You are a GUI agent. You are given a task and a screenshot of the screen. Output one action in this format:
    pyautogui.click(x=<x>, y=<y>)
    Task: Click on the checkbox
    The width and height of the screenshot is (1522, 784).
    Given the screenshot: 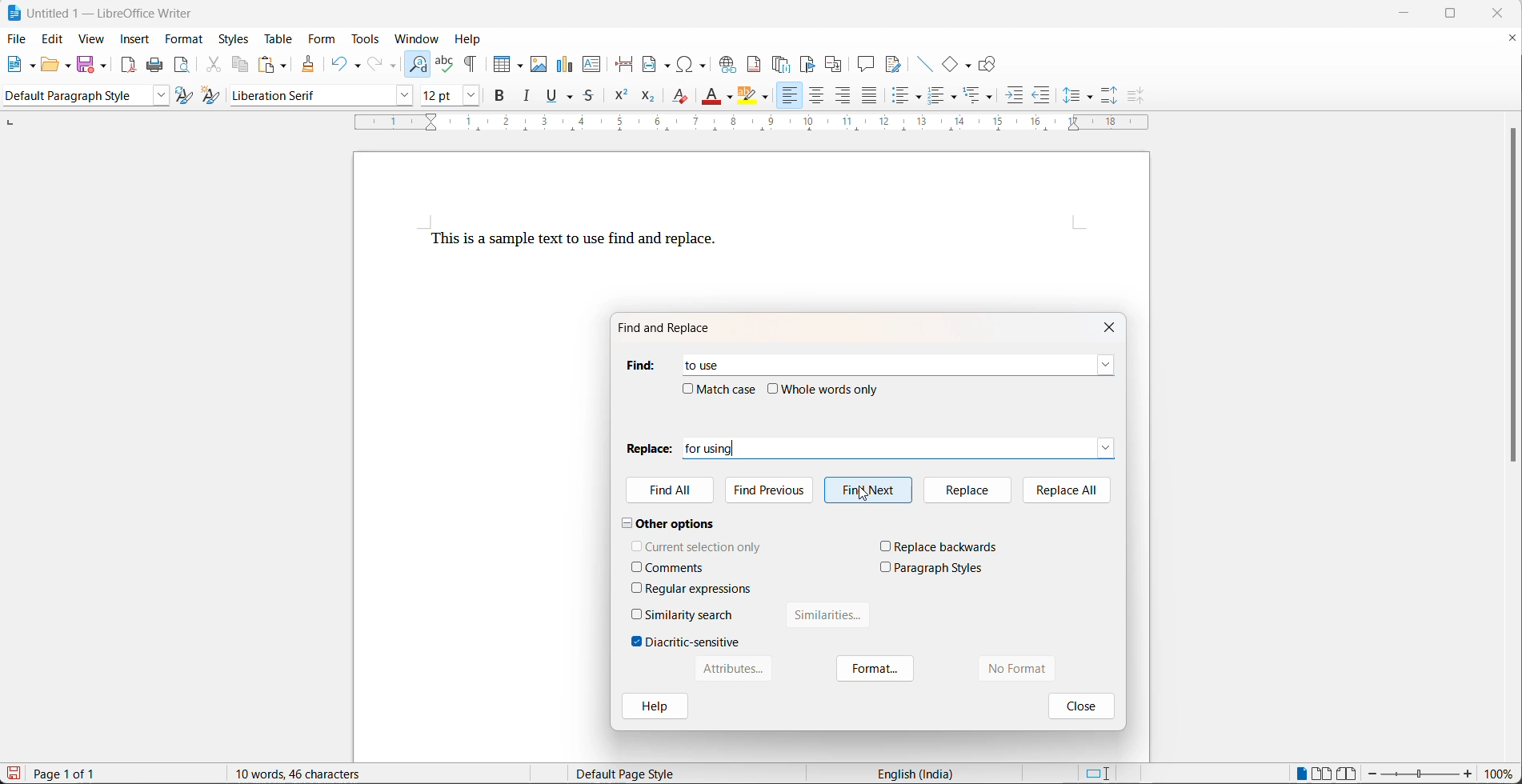 What is the action you would take?
    pyautogui.click(x=637, y=545)
    